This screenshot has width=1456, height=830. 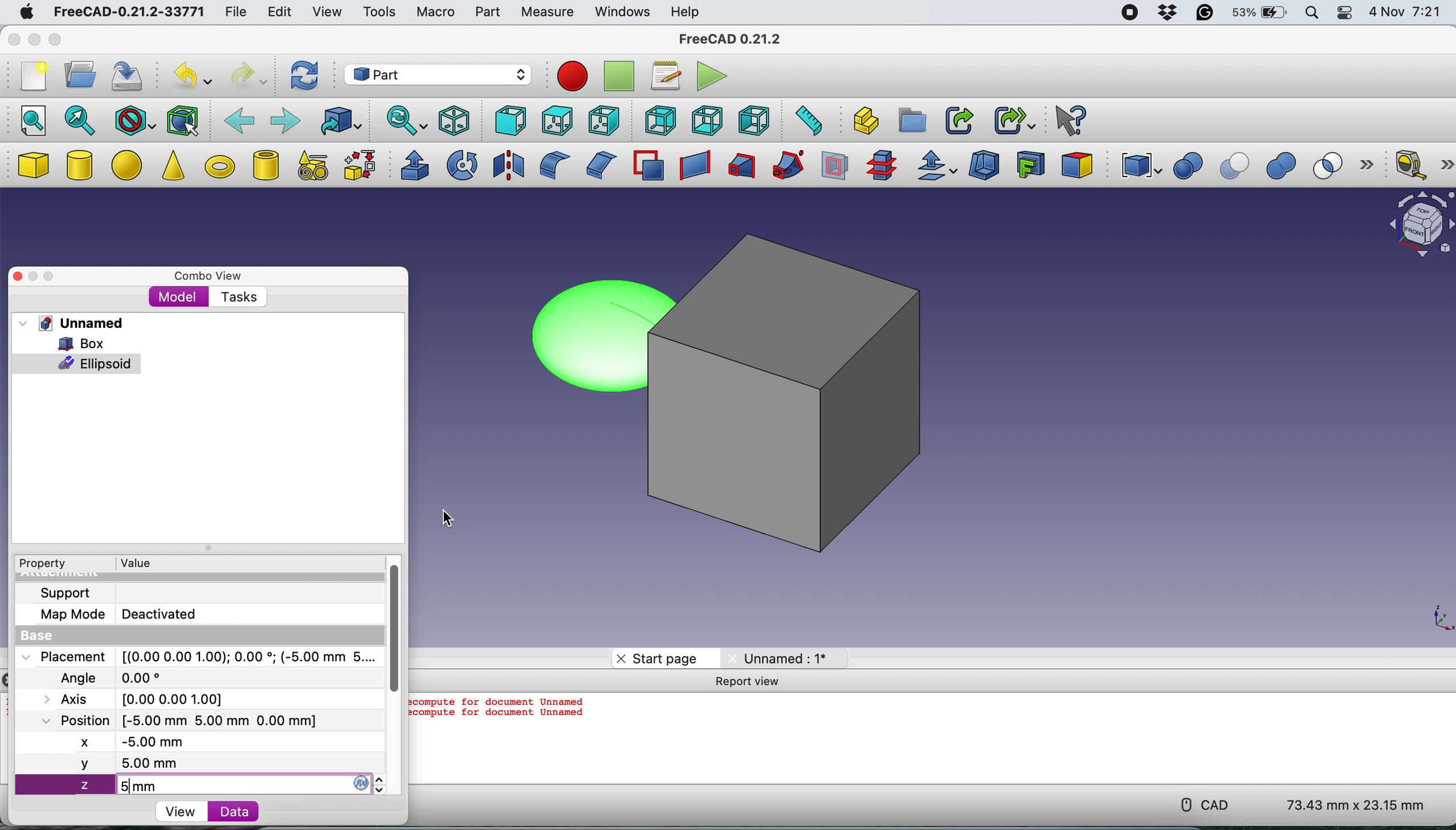 I want to click on create ruled surface, so click(x=692, y=166).